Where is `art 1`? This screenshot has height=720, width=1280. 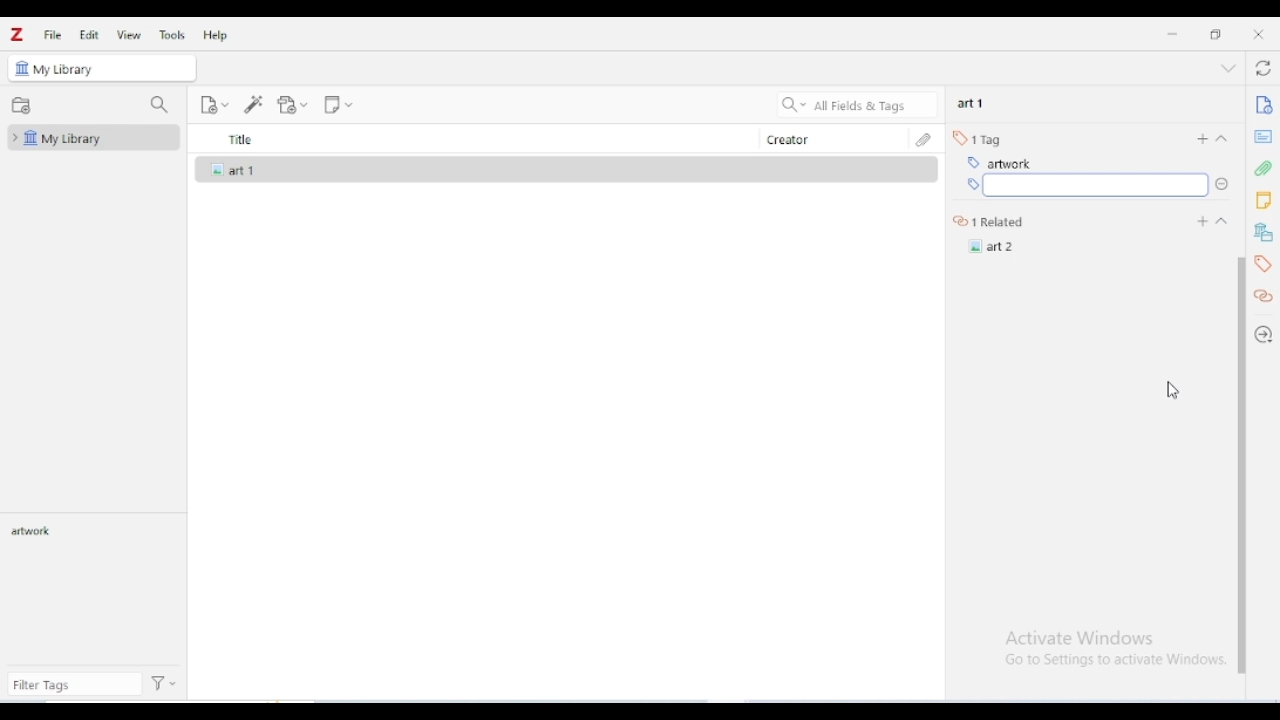 art 1 is located at coordinates (971, 102).